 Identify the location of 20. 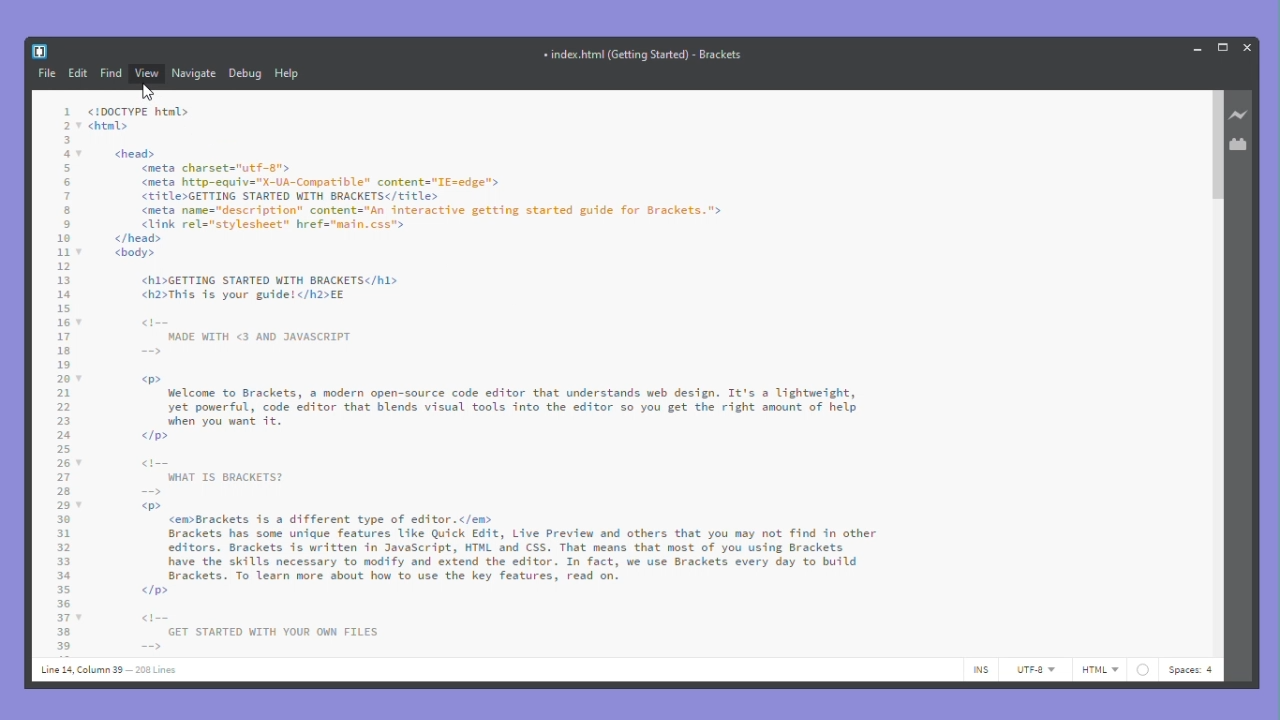
(63, 379).